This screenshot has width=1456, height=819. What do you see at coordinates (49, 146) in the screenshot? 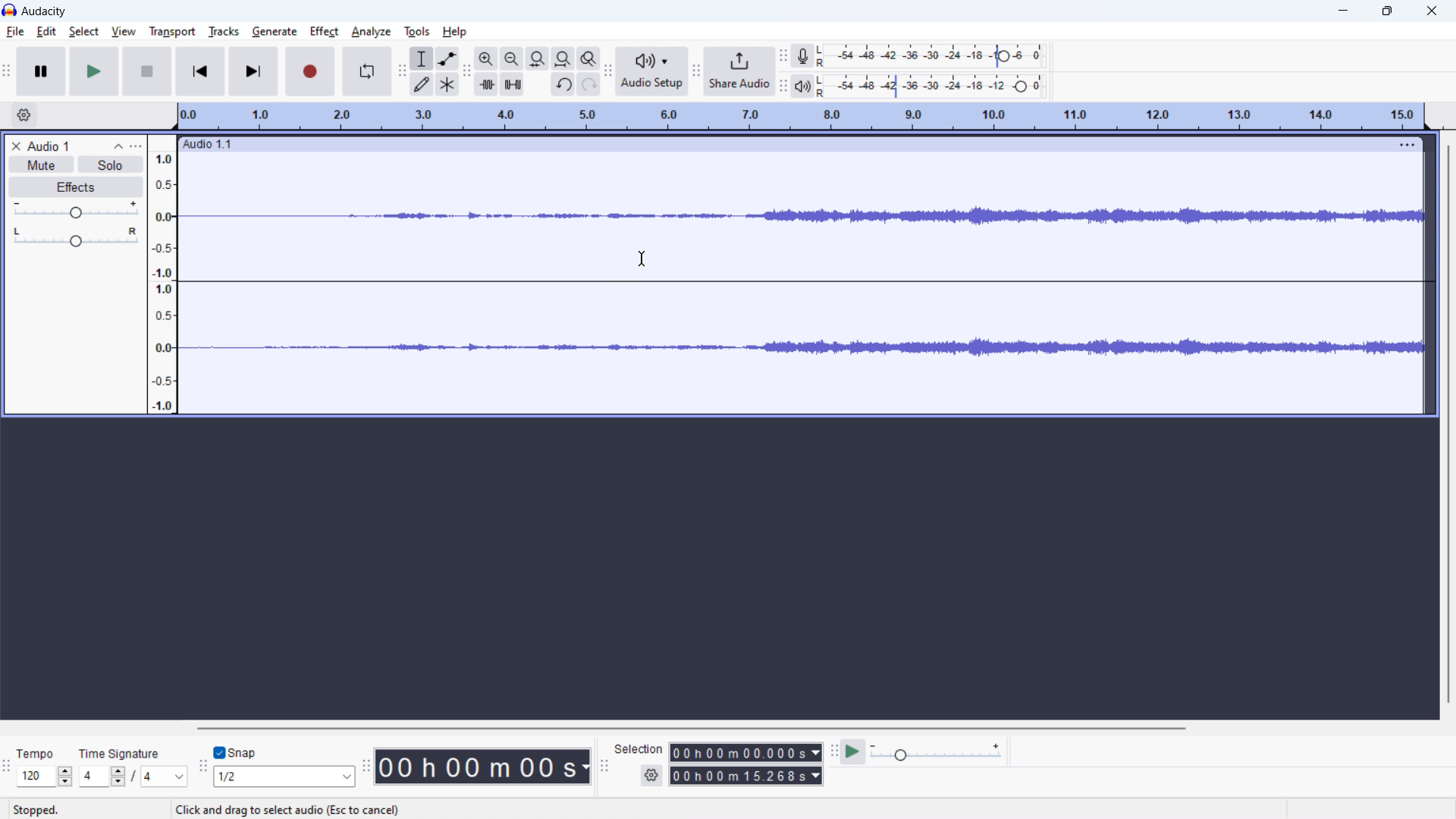
I see `project title` at bounding box center [49, 146].